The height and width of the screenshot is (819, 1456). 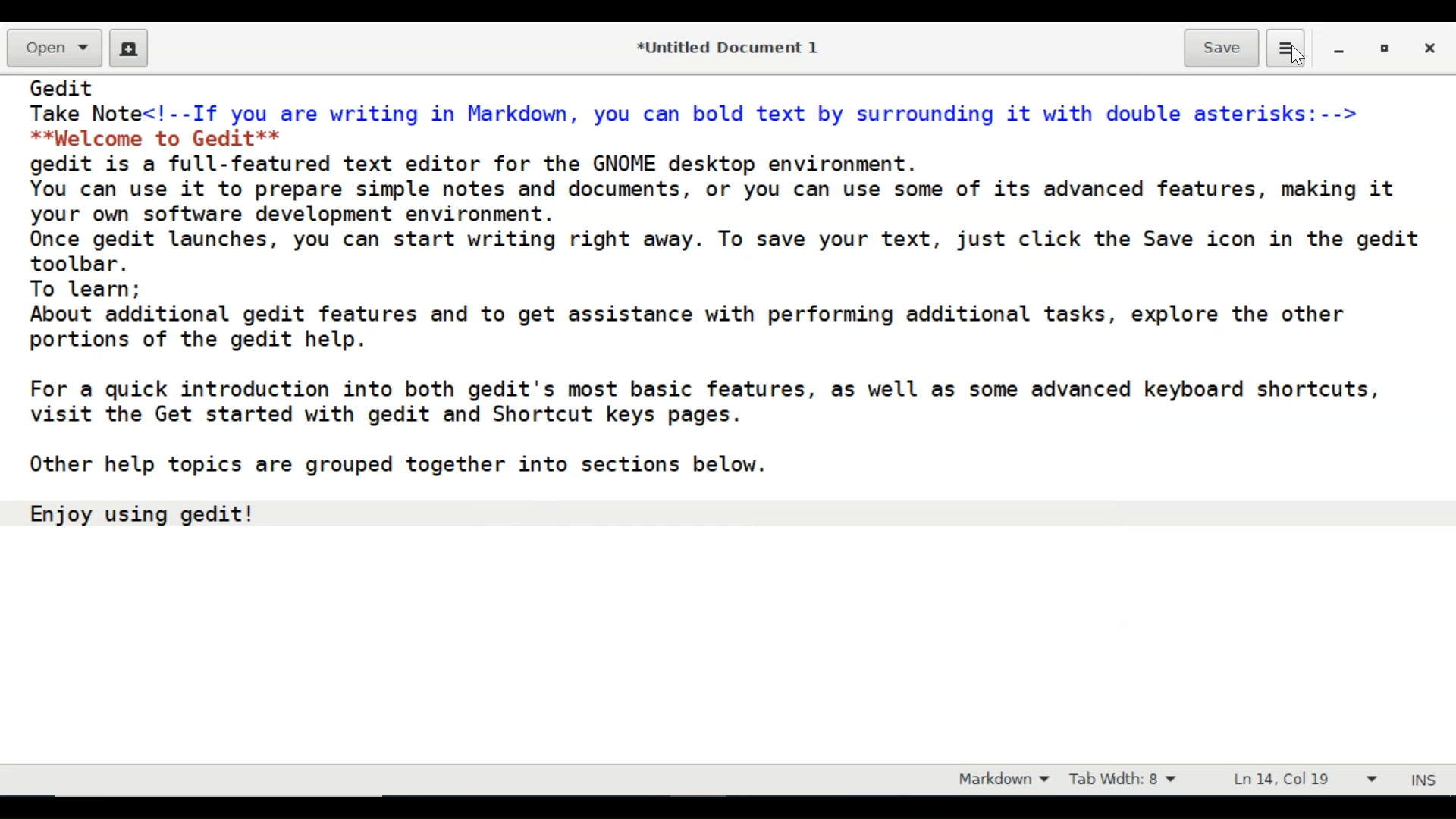 I want to click on Save, so click(x=1221, y=49).